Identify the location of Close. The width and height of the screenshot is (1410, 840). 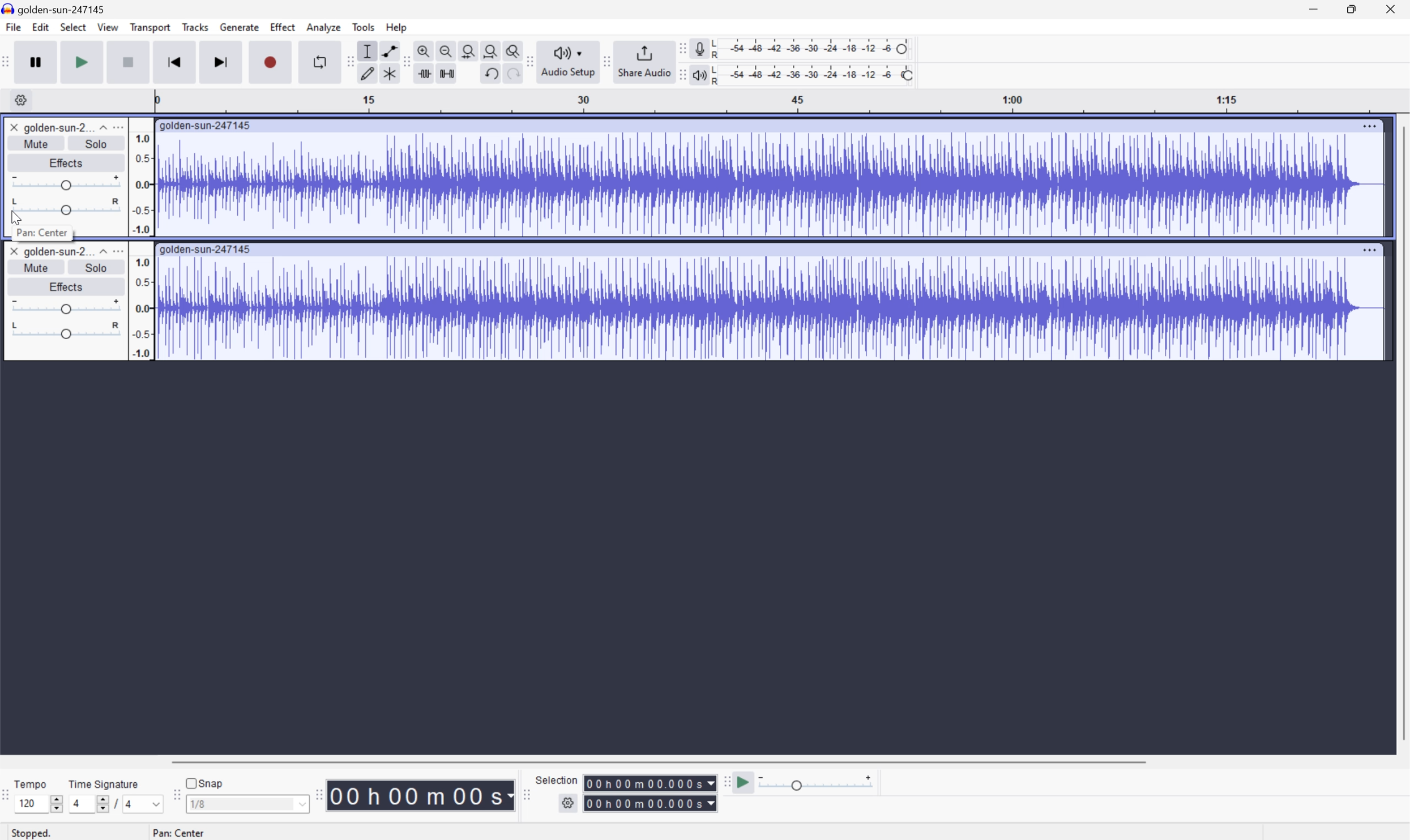
(14, 127).